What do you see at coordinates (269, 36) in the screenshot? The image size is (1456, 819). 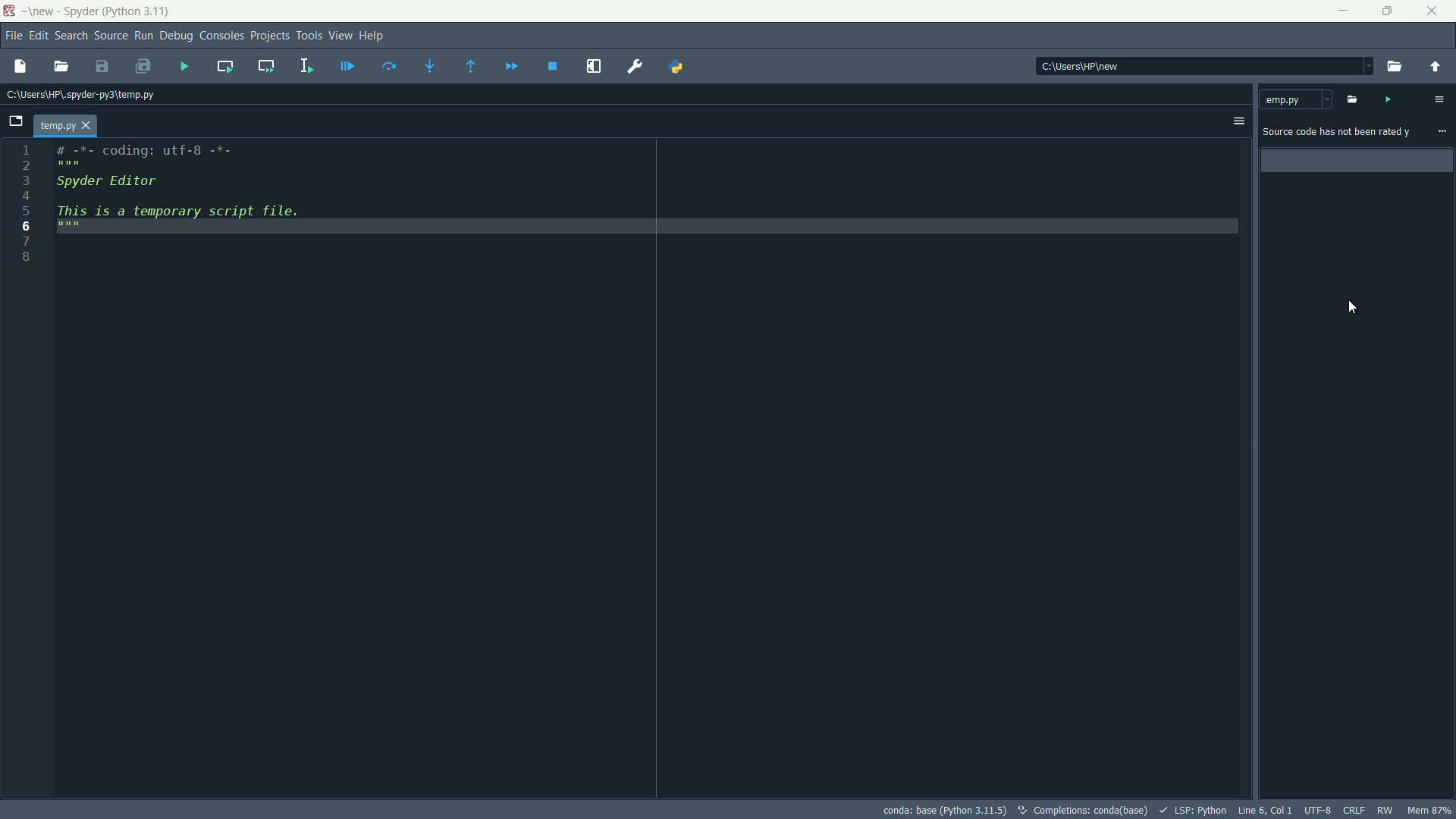 I see `projects menu` at bounding box center [269, 36].